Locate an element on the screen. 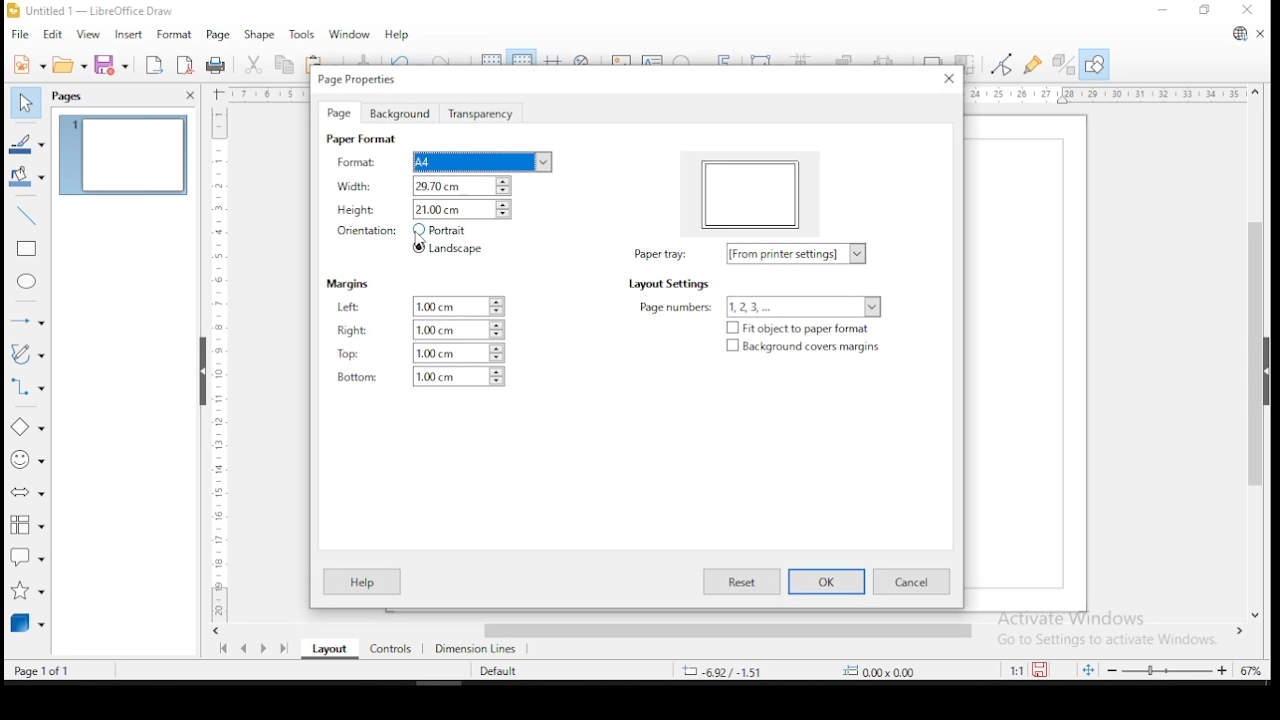 This screenshot has height=720, width=1280. lines and arrows is located at coordinates (27, 318).